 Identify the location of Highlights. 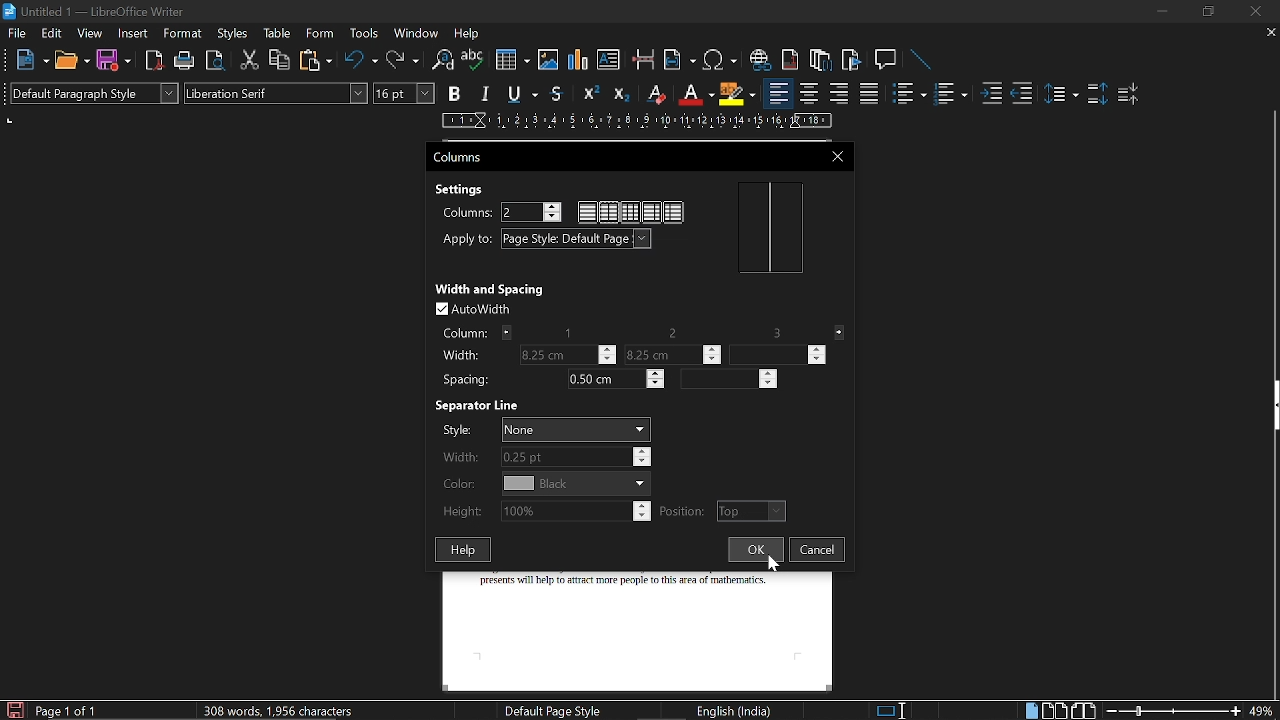
(738, 94).